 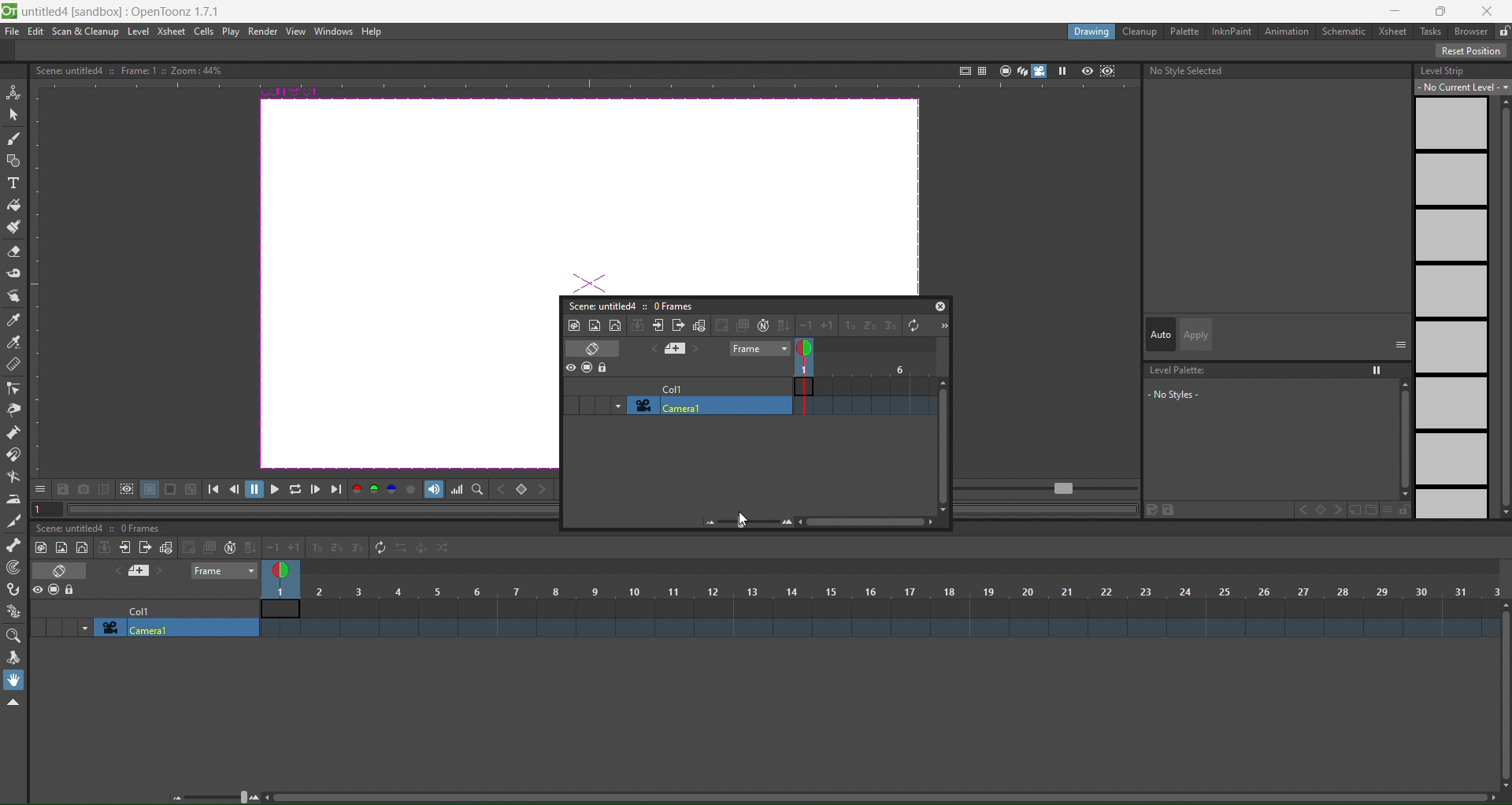 What do you see at coordinates (574, 325) in the screenshot?
I see `new toonz raster level` at bounding box center [574, 325].